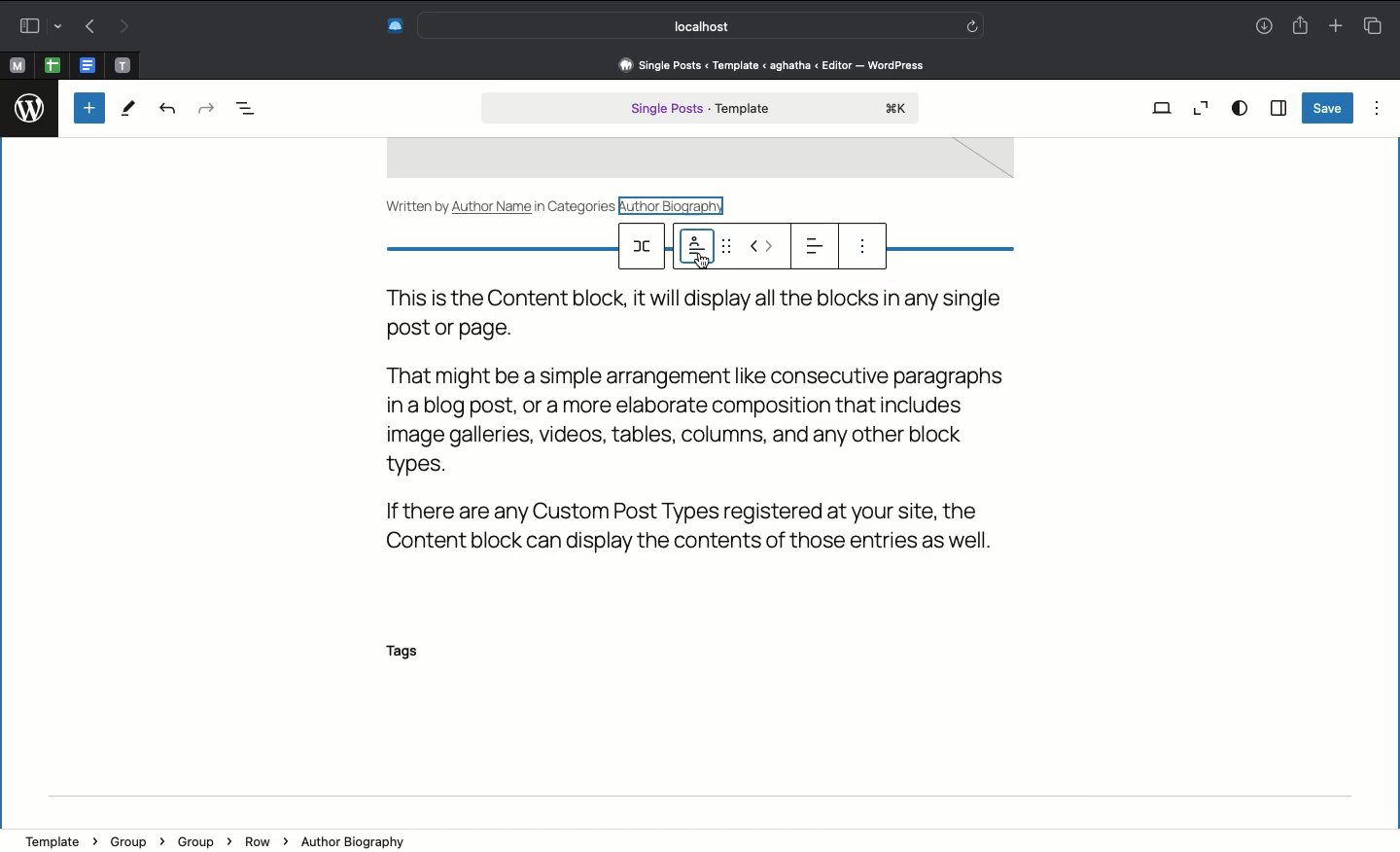 This screenshot has height=852, width=1400. Describe the element at coordinates (695, 248) in the screenshot. I see `Details` at that location.